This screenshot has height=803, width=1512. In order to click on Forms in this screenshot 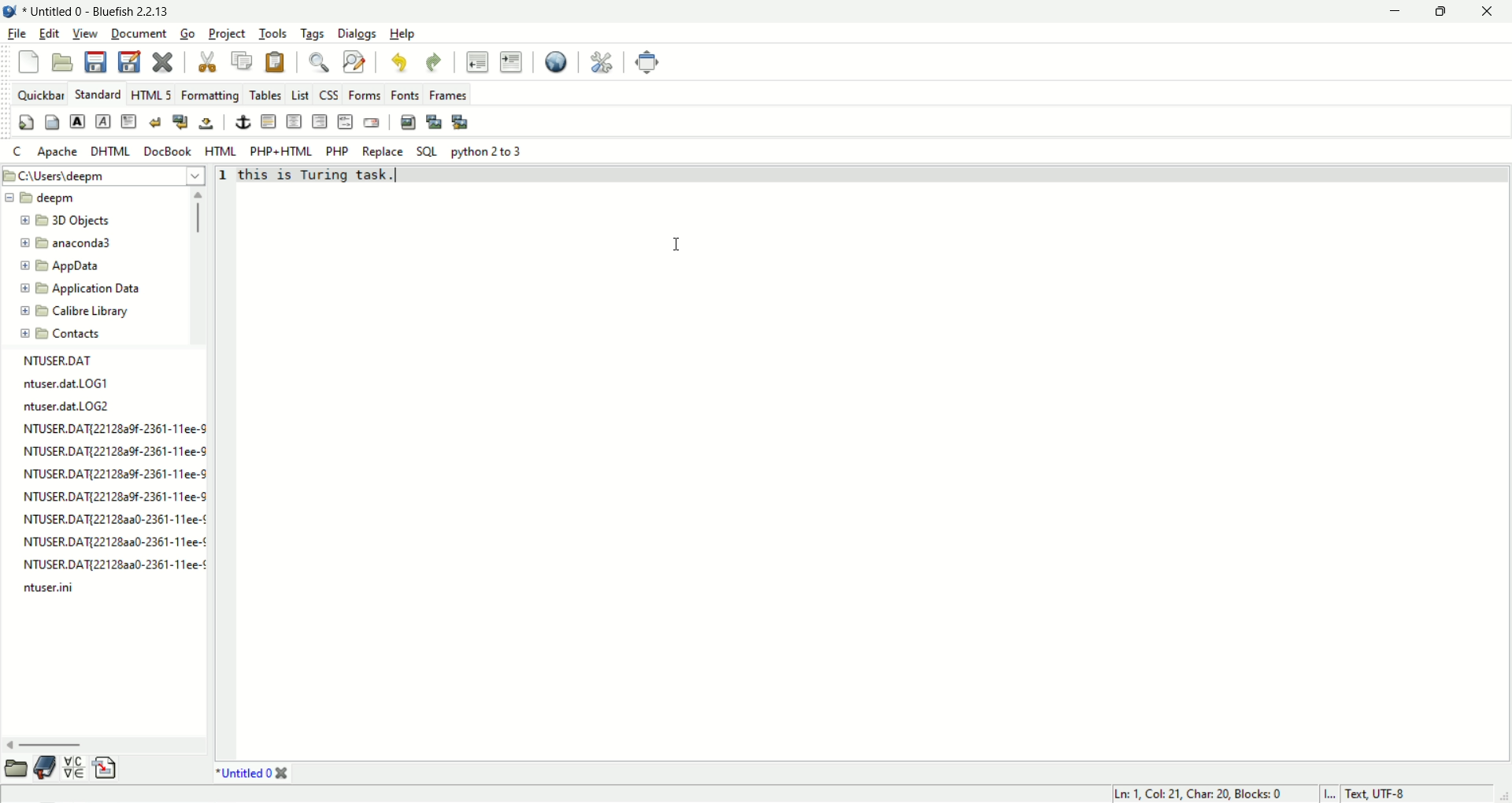, I will do `click(365, 95)`.